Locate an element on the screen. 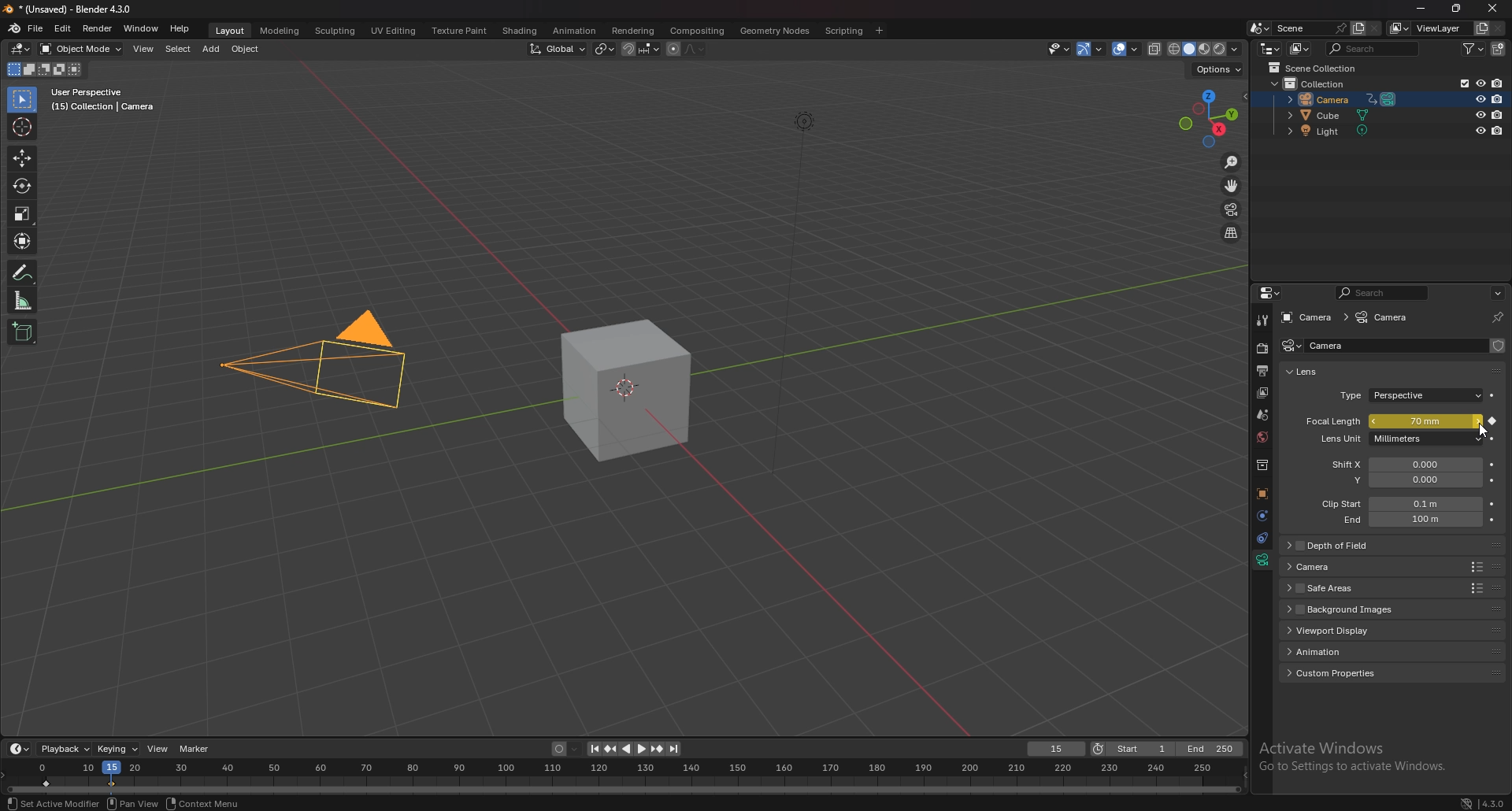  animate property is located at coordinates (1492, 422).